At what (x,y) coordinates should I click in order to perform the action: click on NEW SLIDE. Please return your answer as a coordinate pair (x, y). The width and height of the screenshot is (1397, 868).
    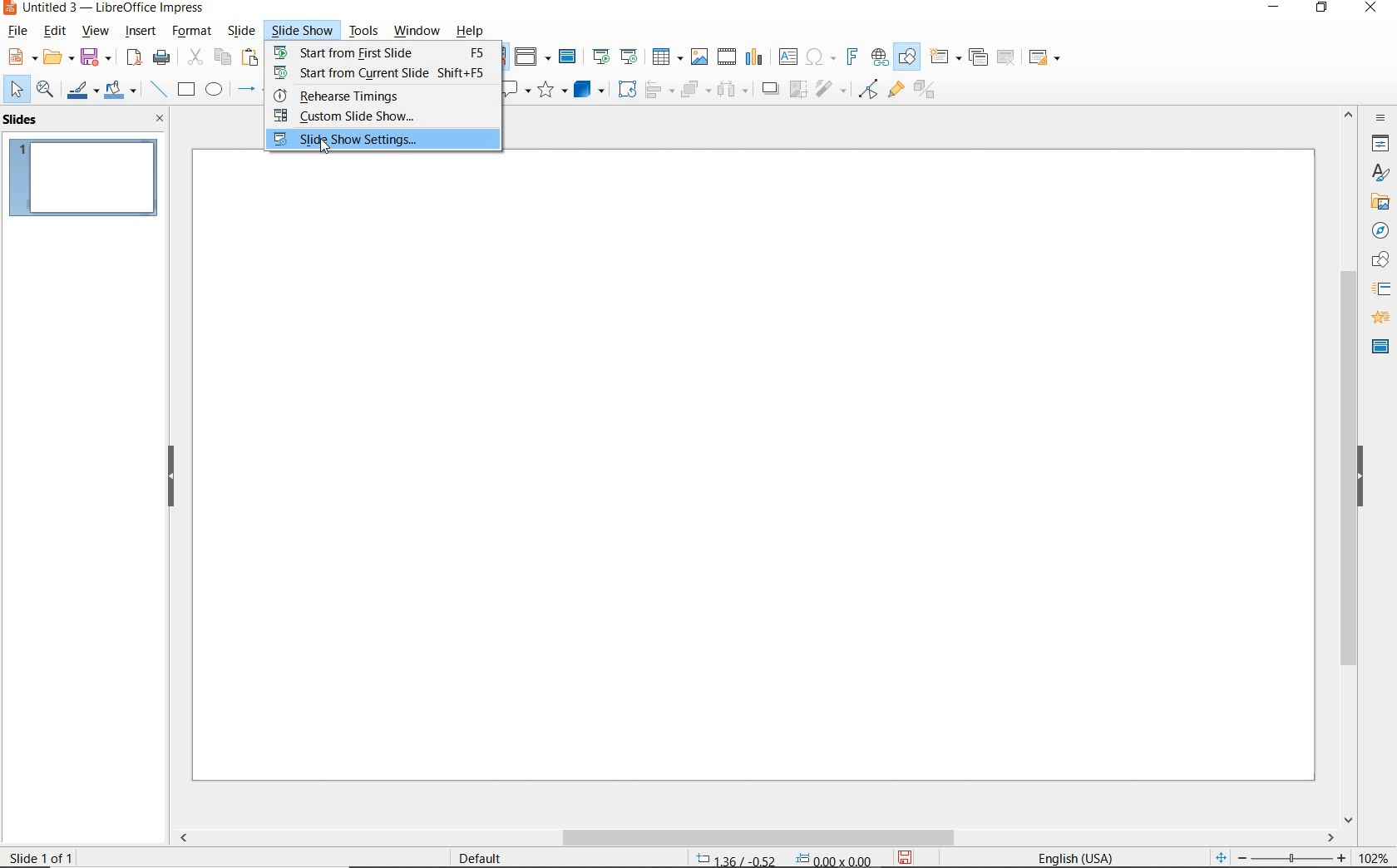
    Looking at the image, I should click on (945, 57).